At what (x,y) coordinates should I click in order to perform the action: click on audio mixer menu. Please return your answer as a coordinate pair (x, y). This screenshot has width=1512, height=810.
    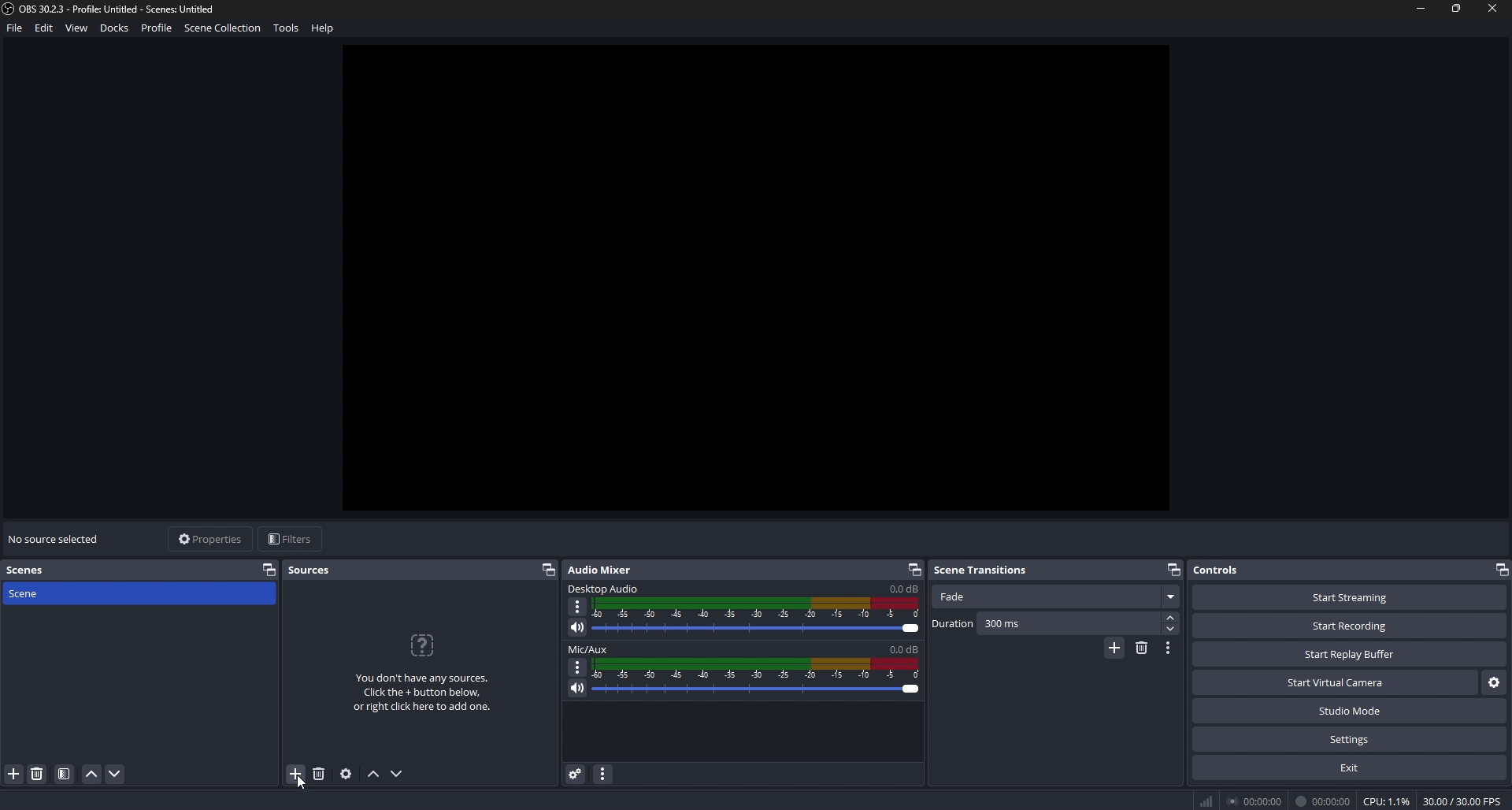
    Looking at the image, I should click on (604, 773).